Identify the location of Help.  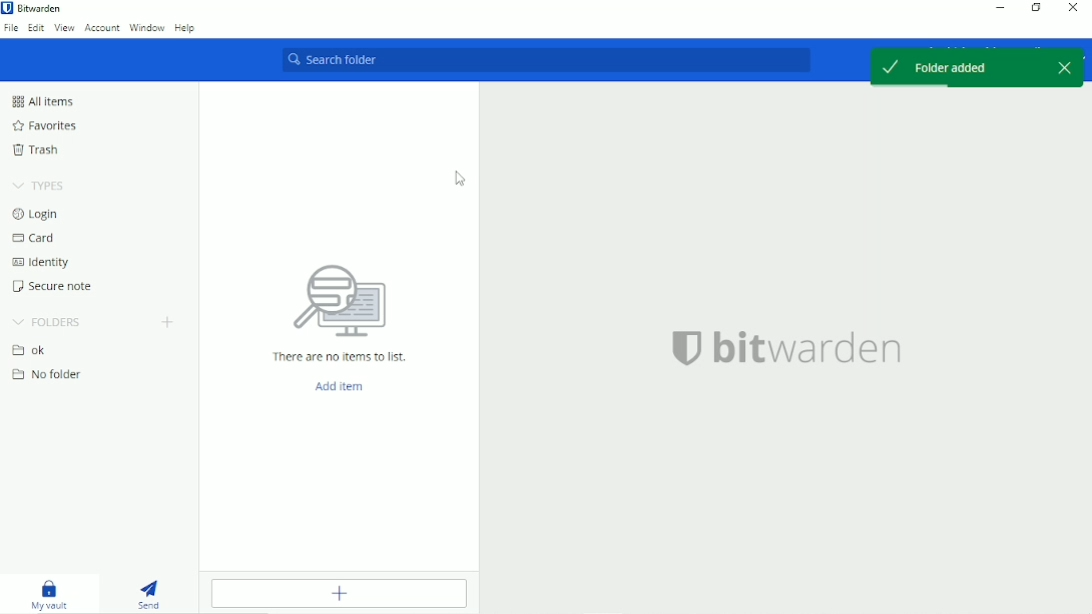
(186, 29).